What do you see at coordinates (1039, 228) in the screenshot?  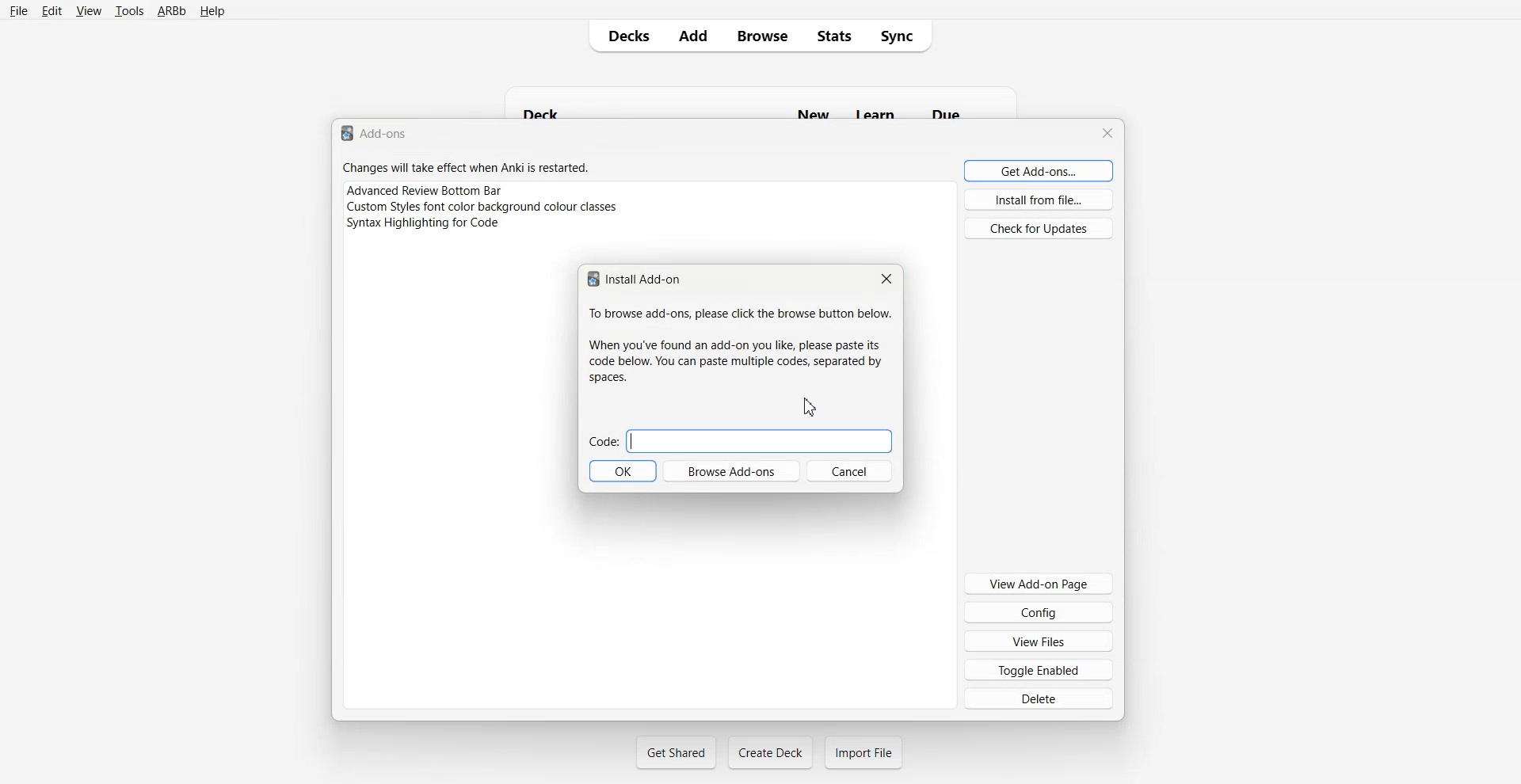 I see `Check for Updates` at bounding box center [1039, 228].